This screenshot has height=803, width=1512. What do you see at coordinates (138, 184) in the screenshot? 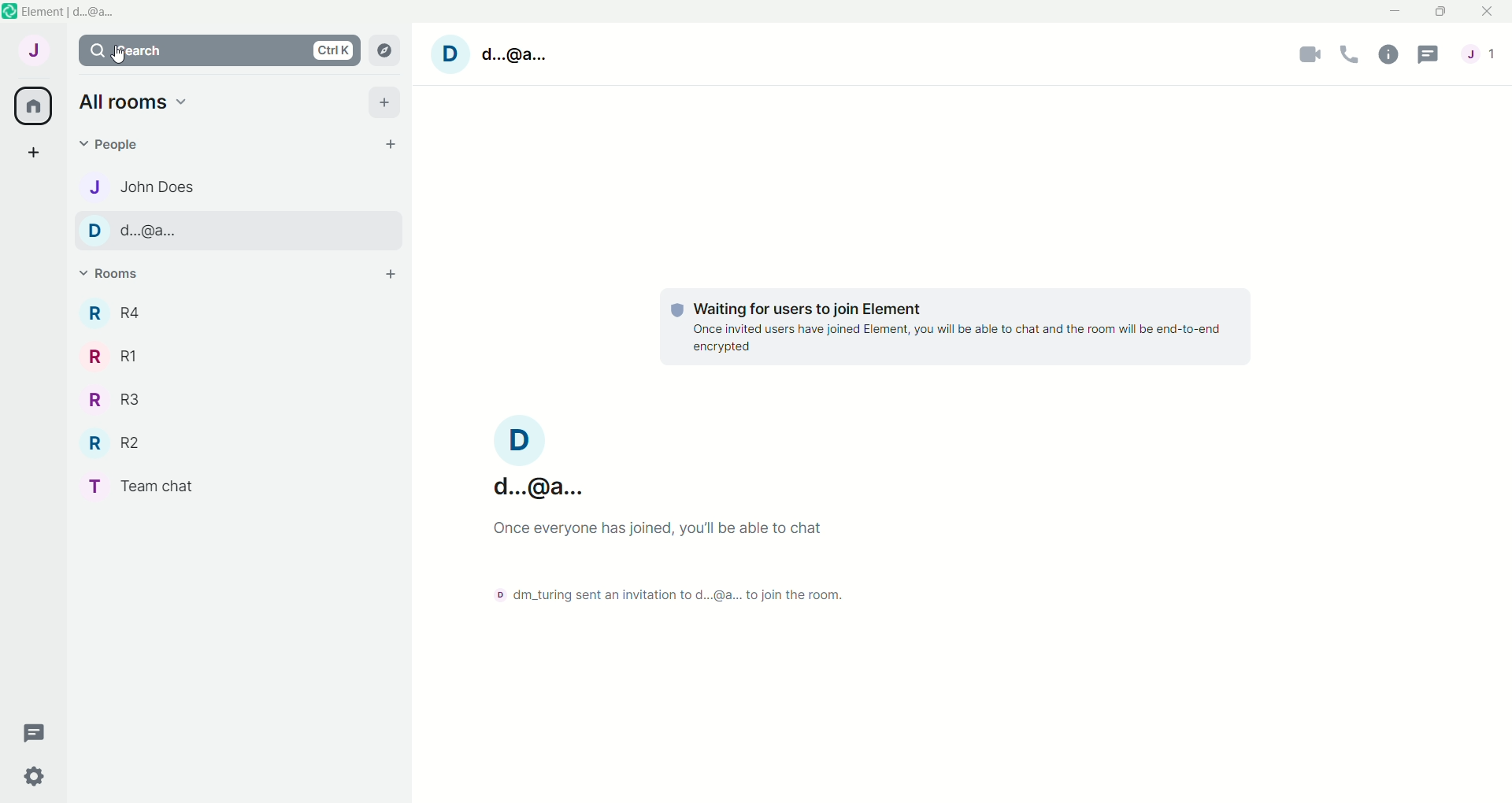
I see `john does` at bounding box center [138, 184].